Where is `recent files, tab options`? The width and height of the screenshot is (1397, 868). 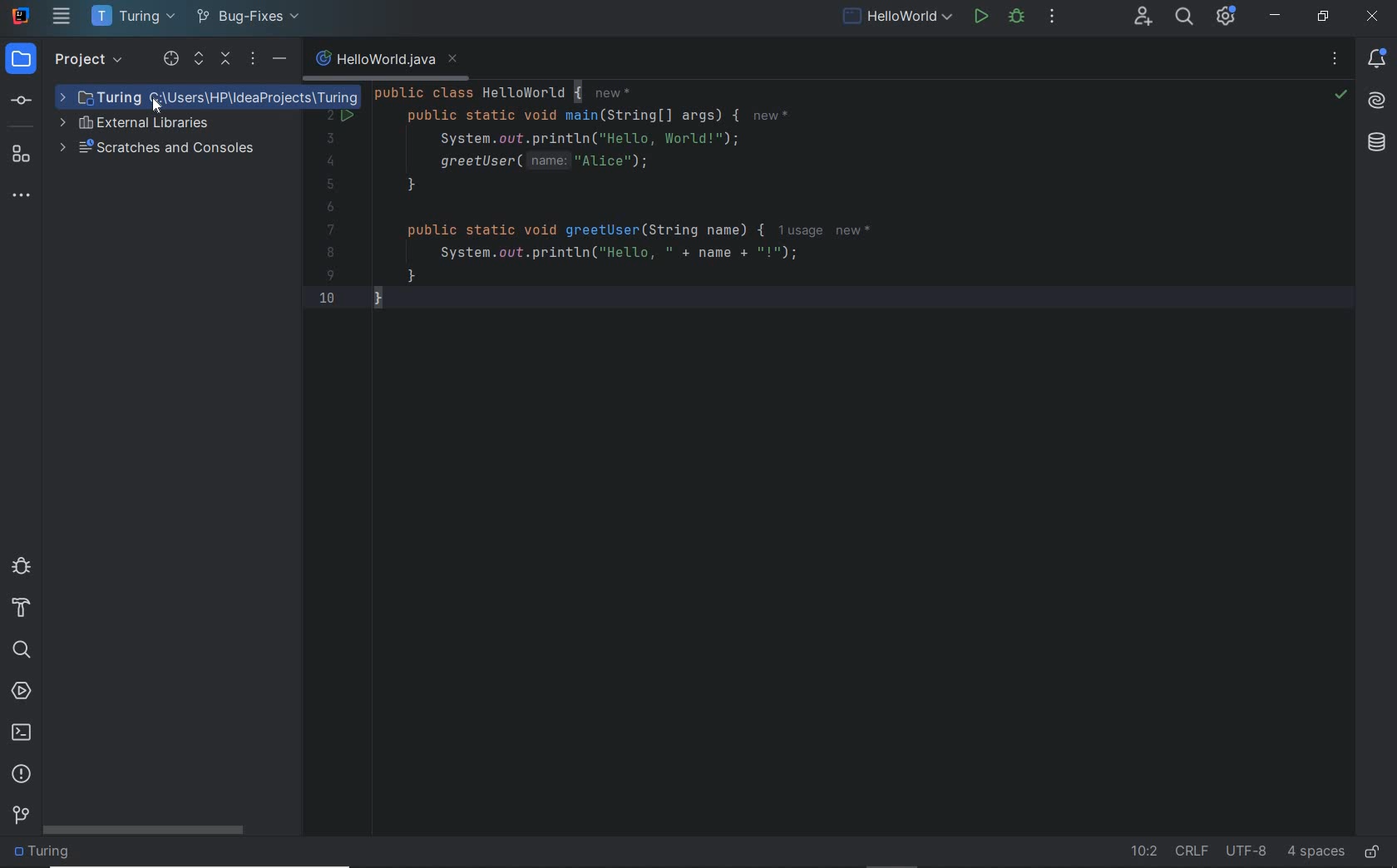 recent files, tab options is located at coordinates (1336, 61).